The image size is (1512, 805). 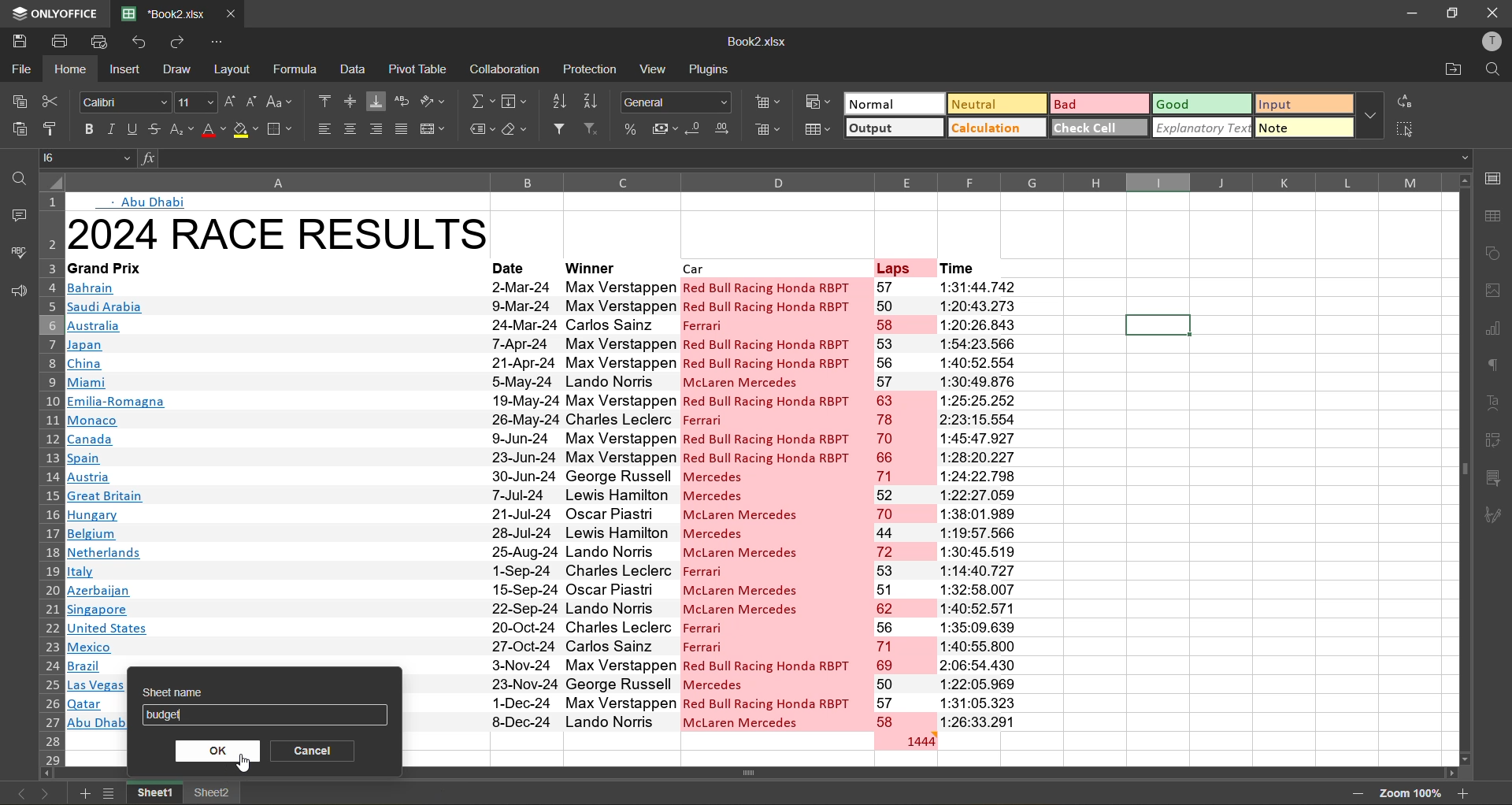 I want to click on cell address, so click(x=87, y=157).